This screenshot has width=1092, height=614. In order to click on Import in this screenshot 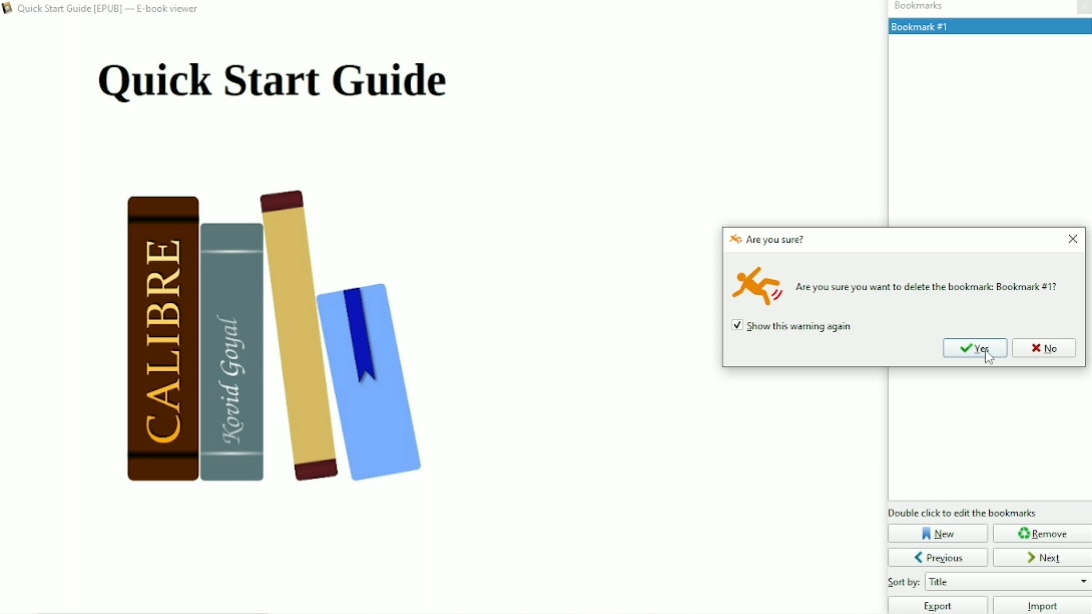, I will do `click(1043, 605)`.